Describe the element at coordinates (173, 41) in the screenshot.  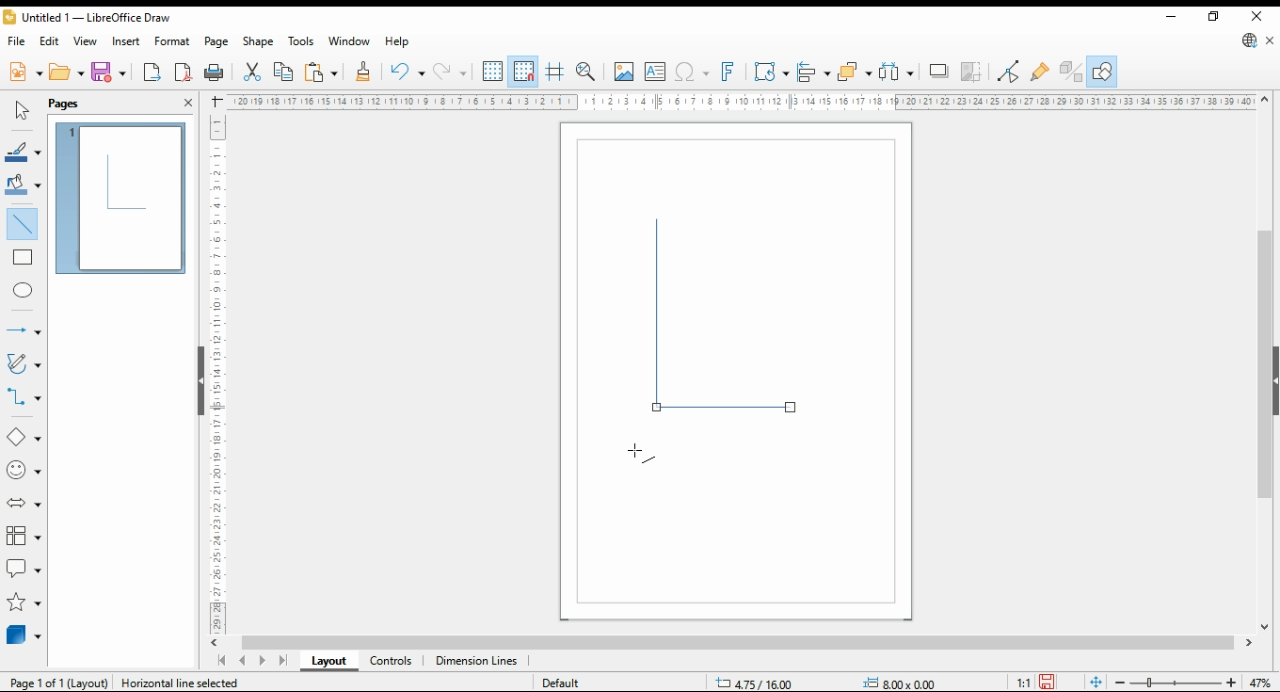
I see `format` at that location.